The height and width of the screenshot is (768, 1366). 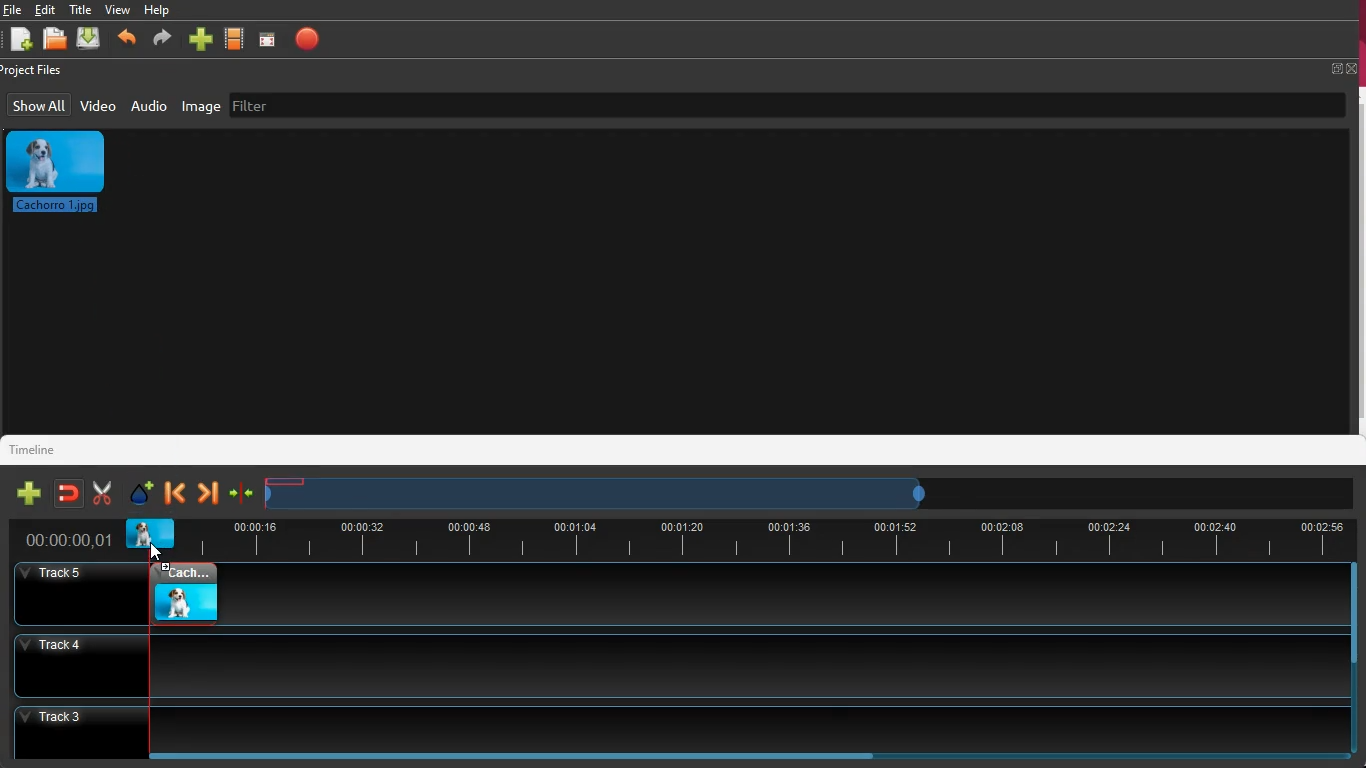 I want to click on audio, so click(x=151, y=106).